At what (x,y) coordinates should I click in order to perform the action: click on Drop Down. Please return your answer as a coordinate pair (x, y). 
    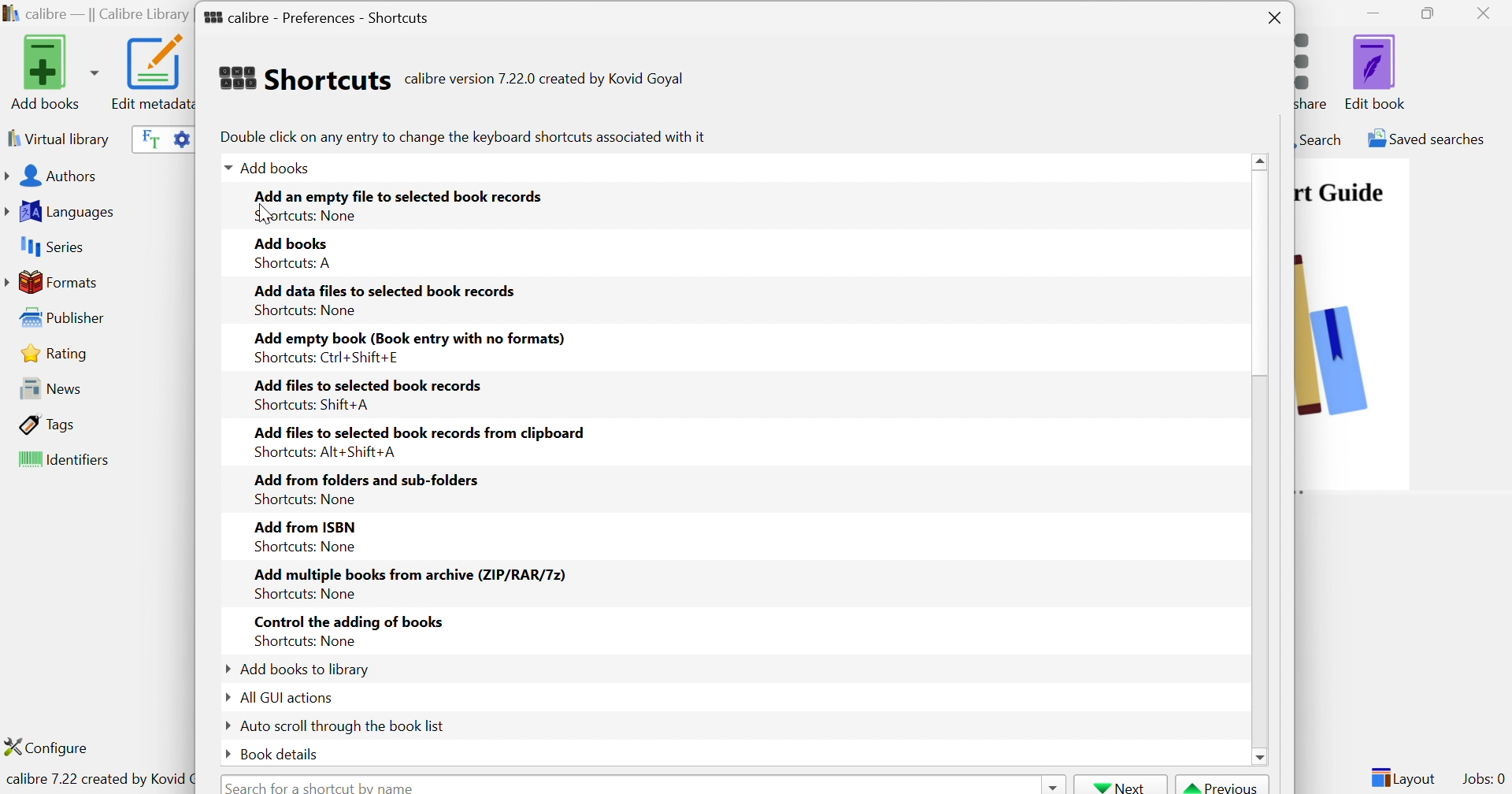
    Looking at the image, I should click on (224, 169).